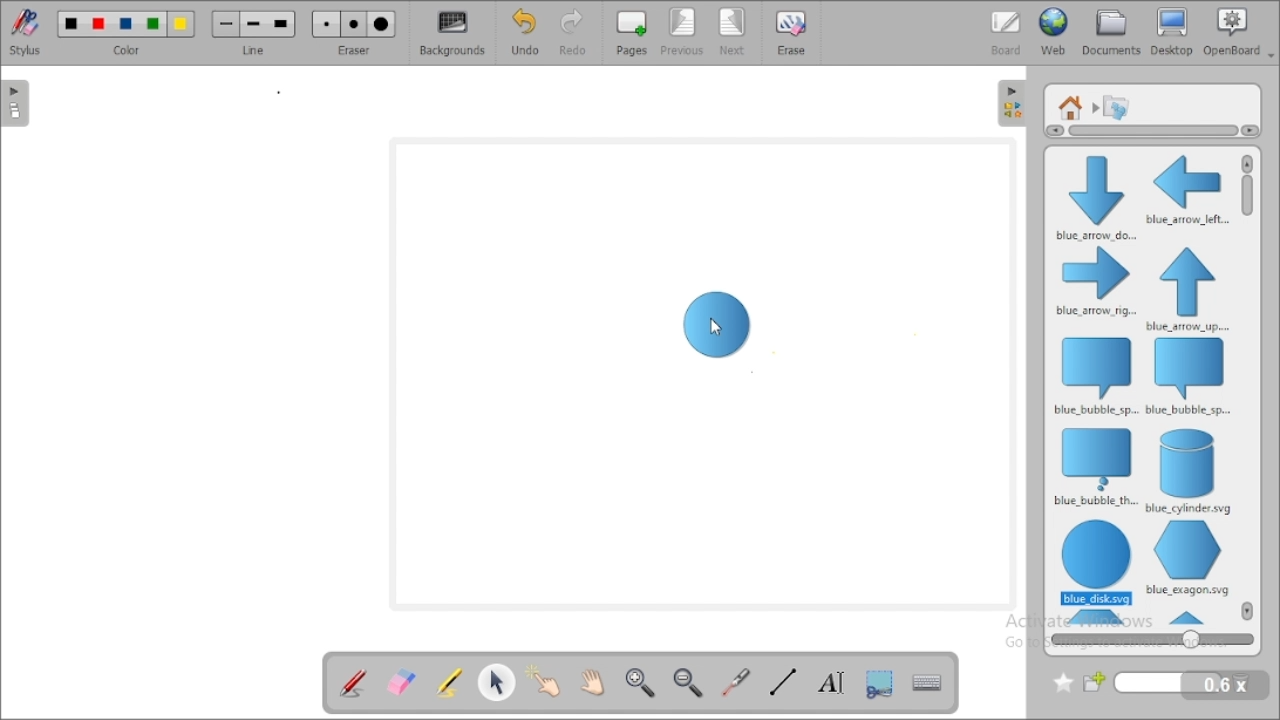  I want to click on annotate document, so click(352, 682).